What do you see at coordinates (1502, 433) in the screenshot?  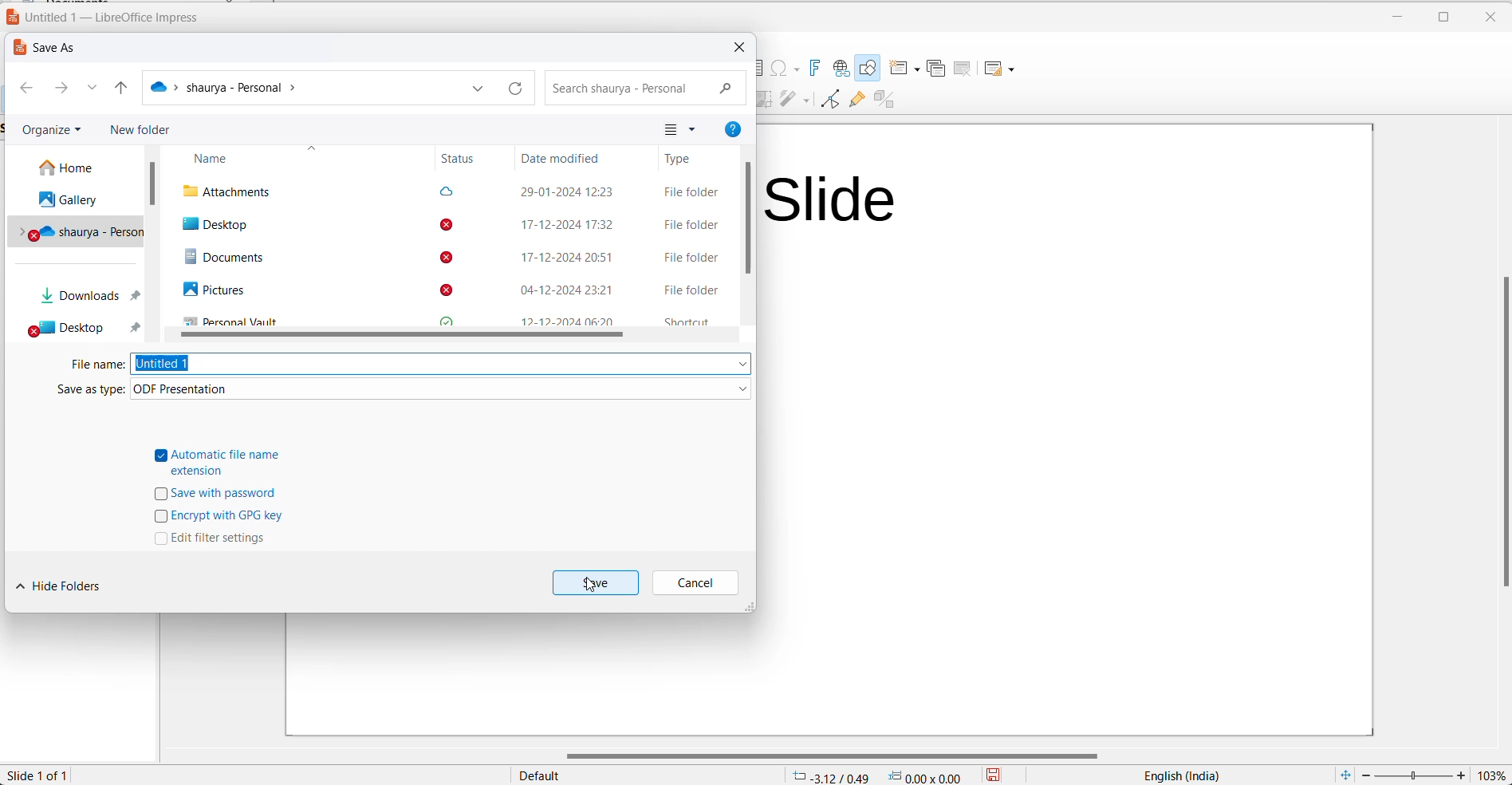 I see `vertical scroll bar` at bounding box center [1502, 433].